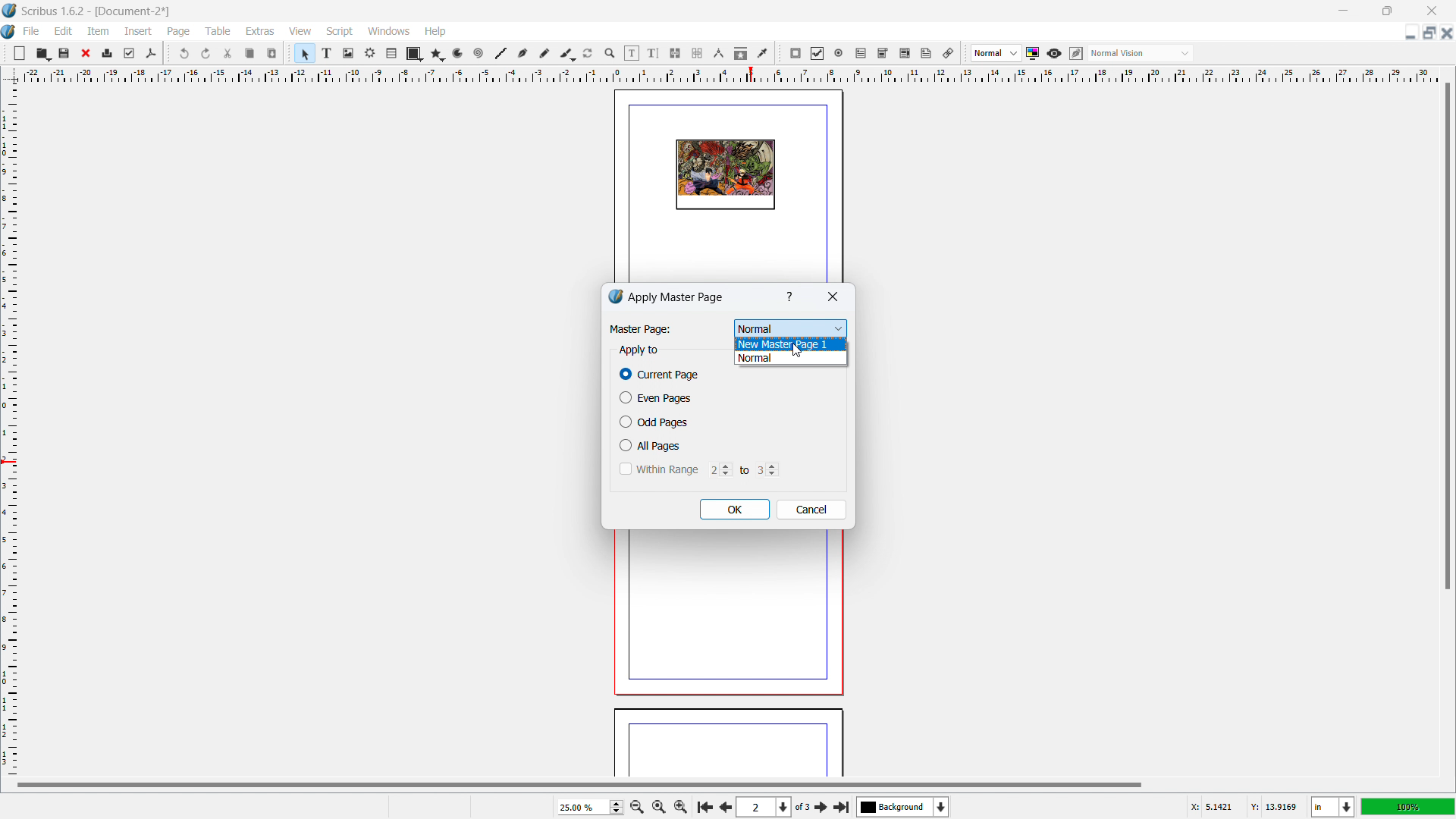 The width and height of the screenshot is (1456, 819). Describe the element at coordinates (791, 326) in the screenshot. I see `select master page` at that location.